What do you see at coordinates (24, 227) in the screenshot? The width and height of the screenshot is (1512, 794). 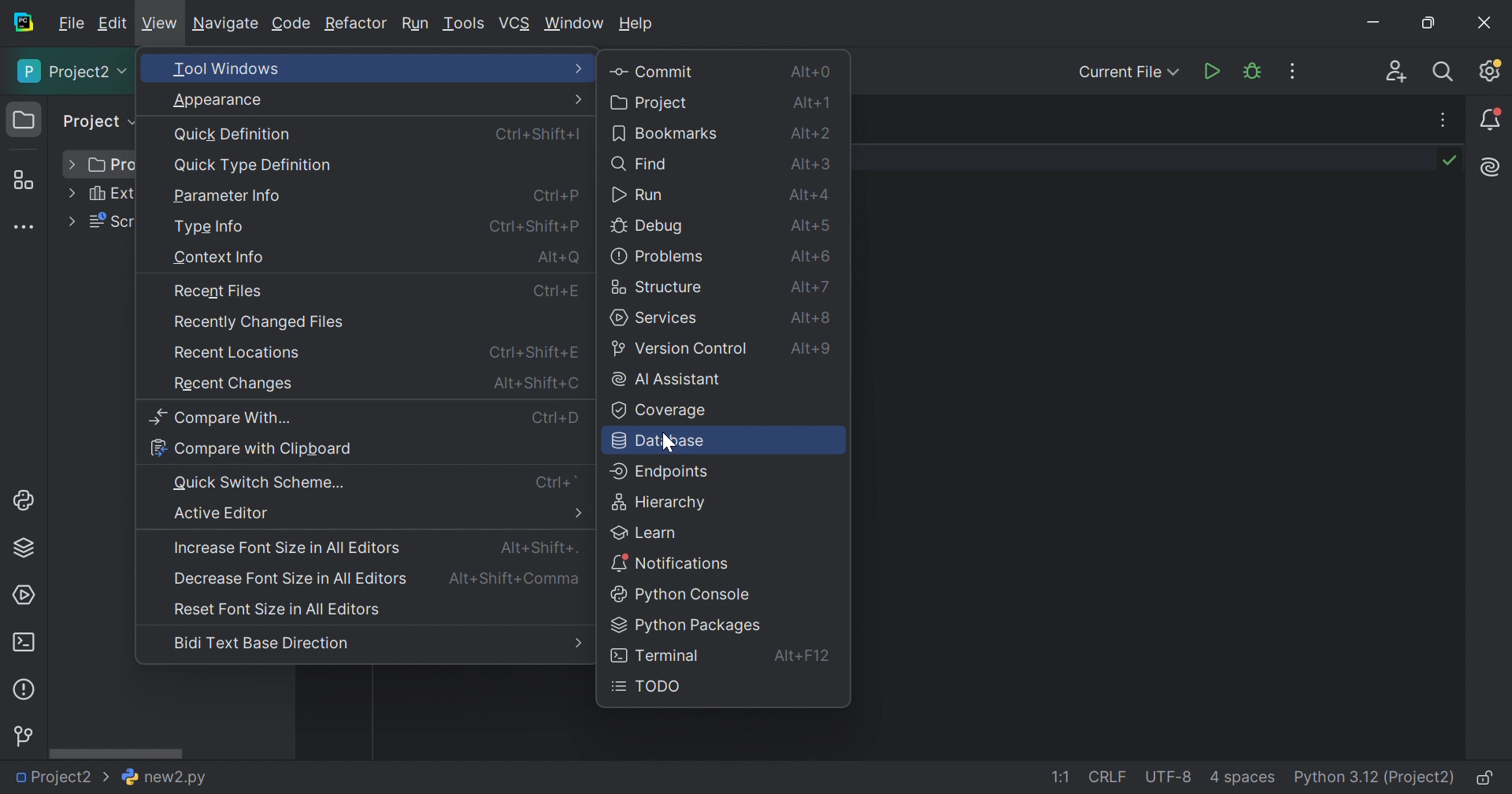 I see `More tool windows` at bounding box center [24, 227].